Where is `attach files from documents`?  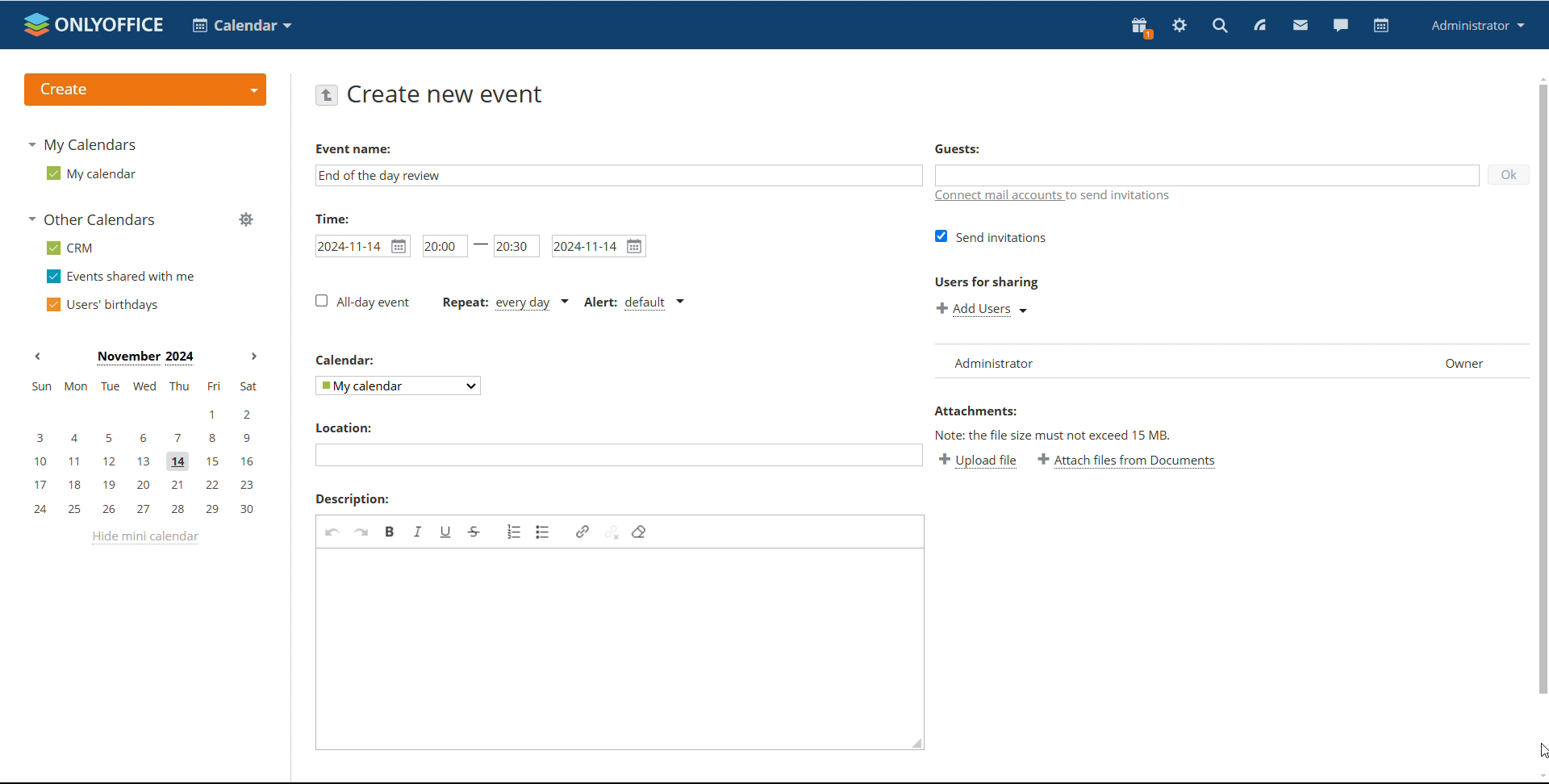 attach files from documents is located at coordinates (1128, 461).